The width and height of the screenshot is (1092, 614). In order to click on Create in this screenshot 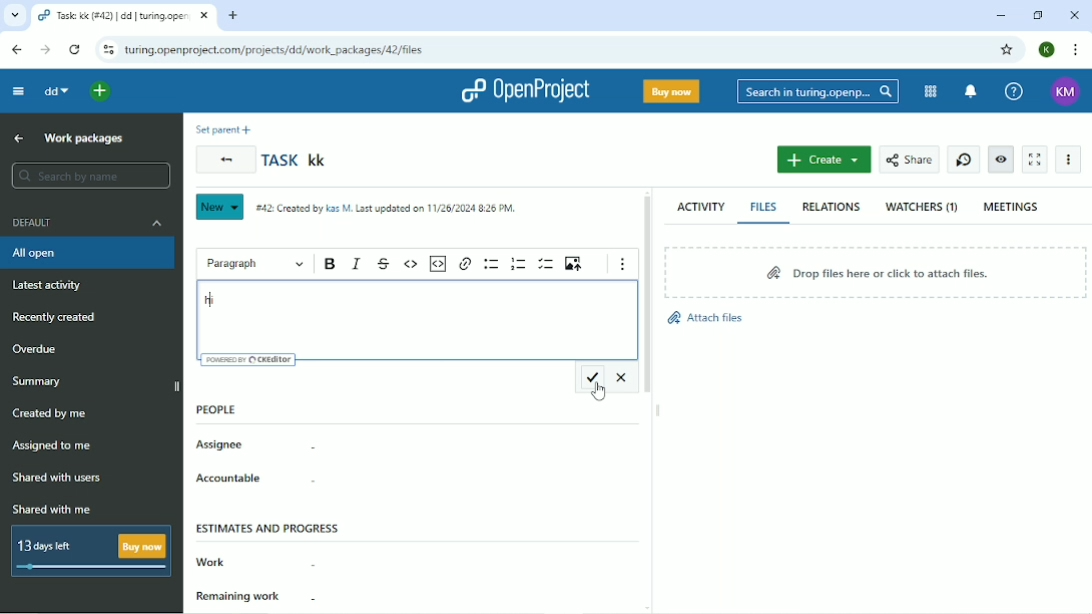, I will do `click(825, 160)`.